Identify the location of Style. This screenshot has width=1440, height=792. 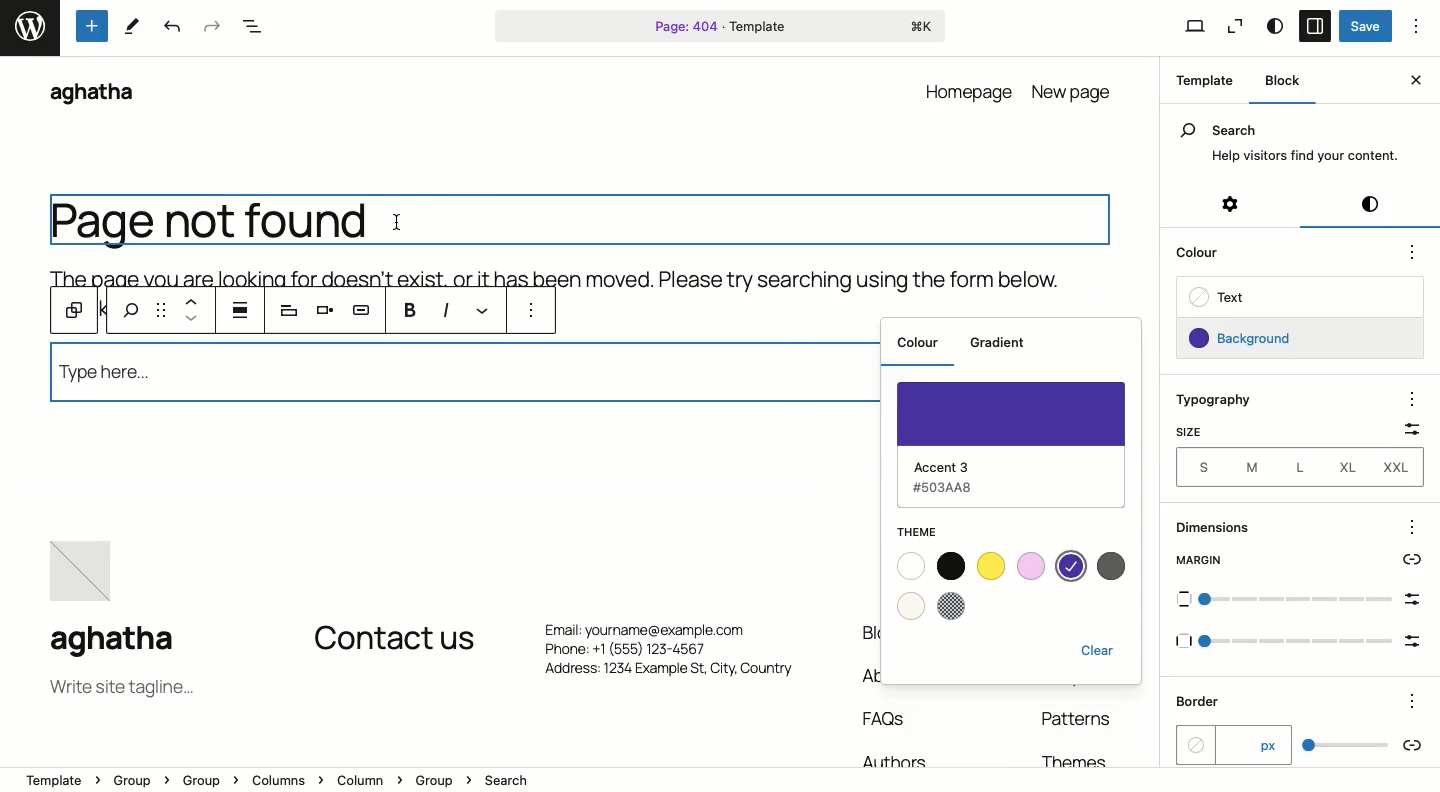
(1276, 27).